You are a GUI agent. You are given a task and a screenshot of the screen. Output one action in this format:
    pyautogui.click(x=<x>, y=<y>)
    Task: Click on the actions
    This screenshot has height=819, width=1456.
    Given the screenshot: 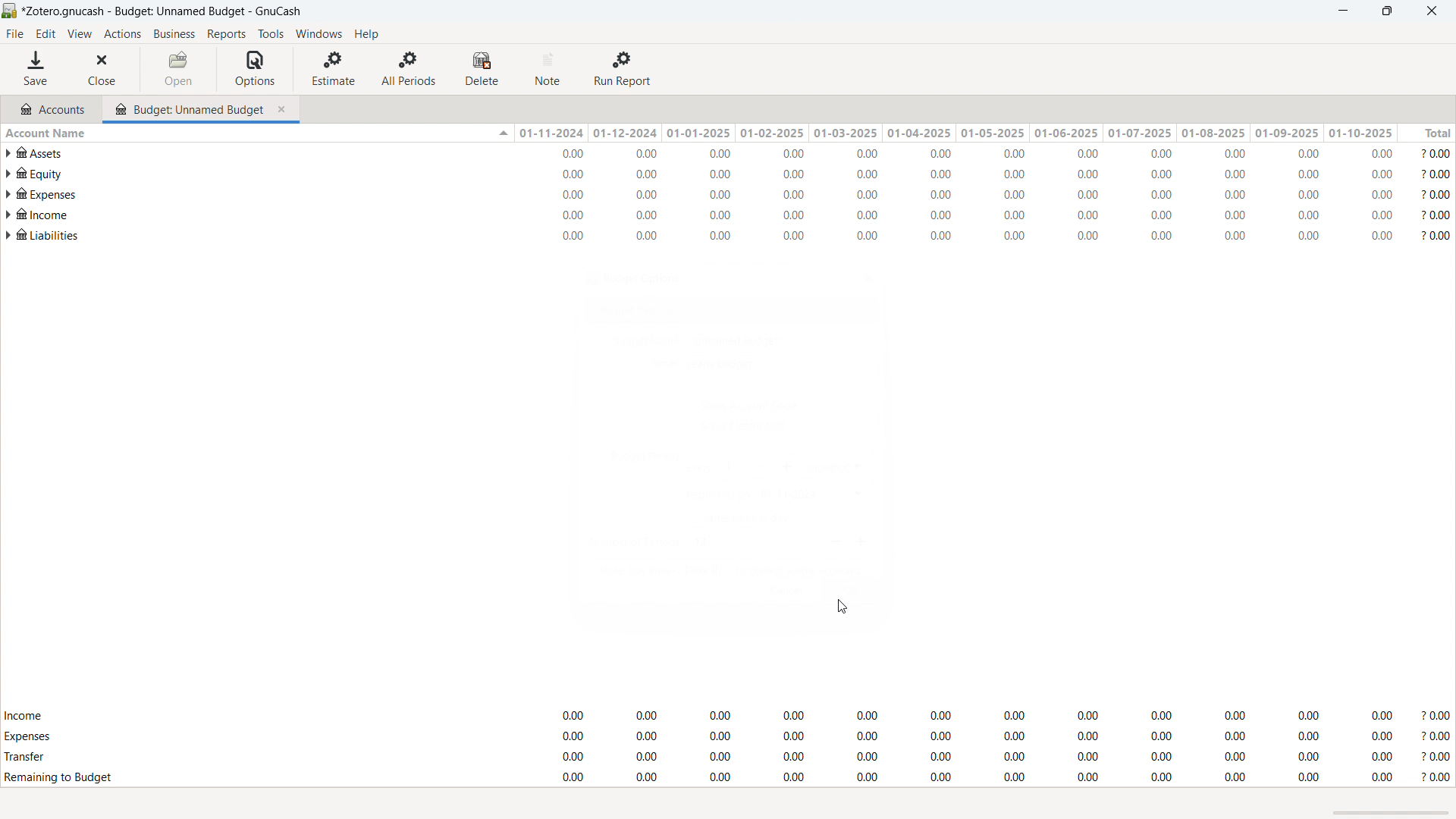 What is the action you would take?
    pyautogui.click(x=122, y=34)
    